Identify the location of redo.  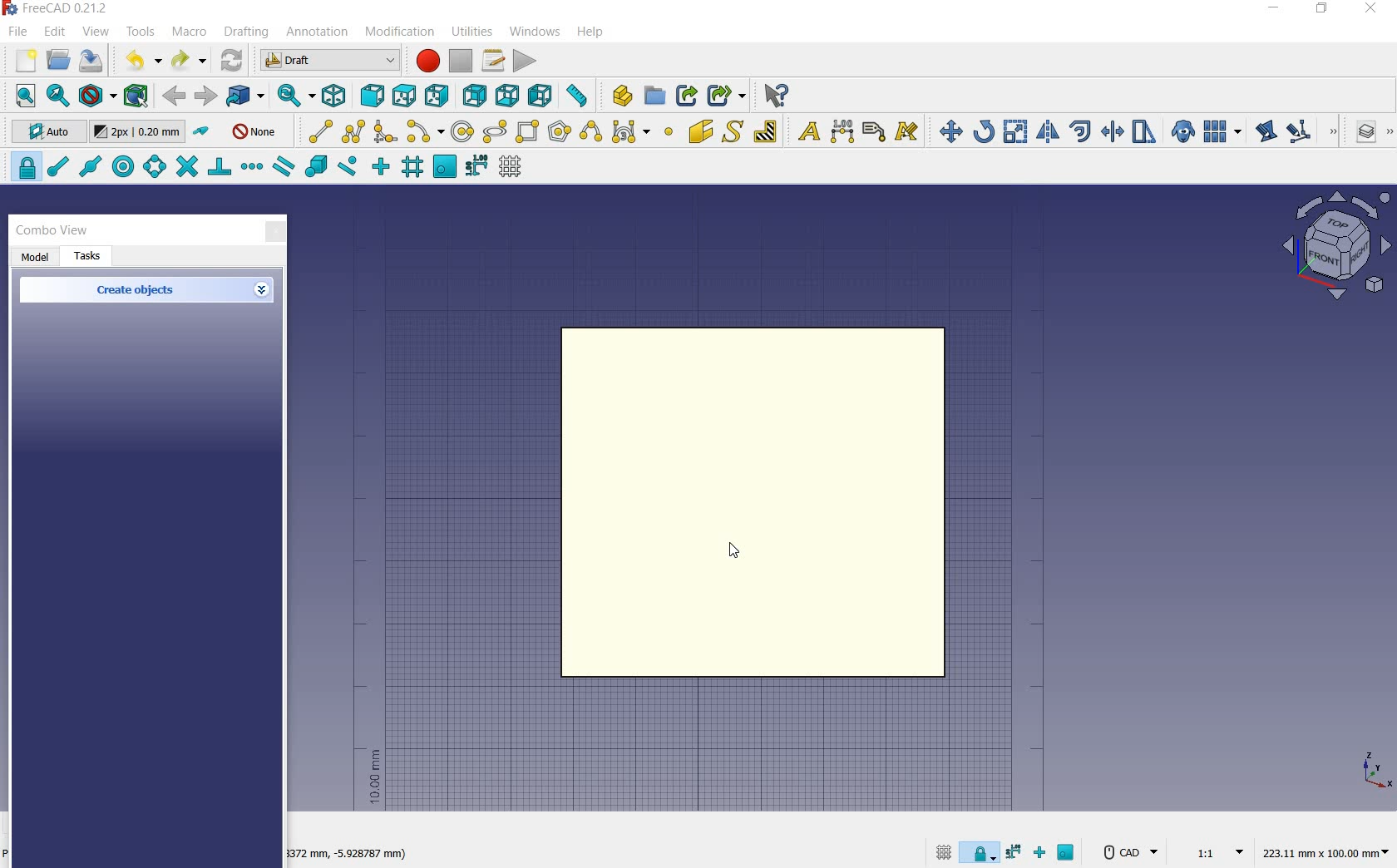
(189, 61).